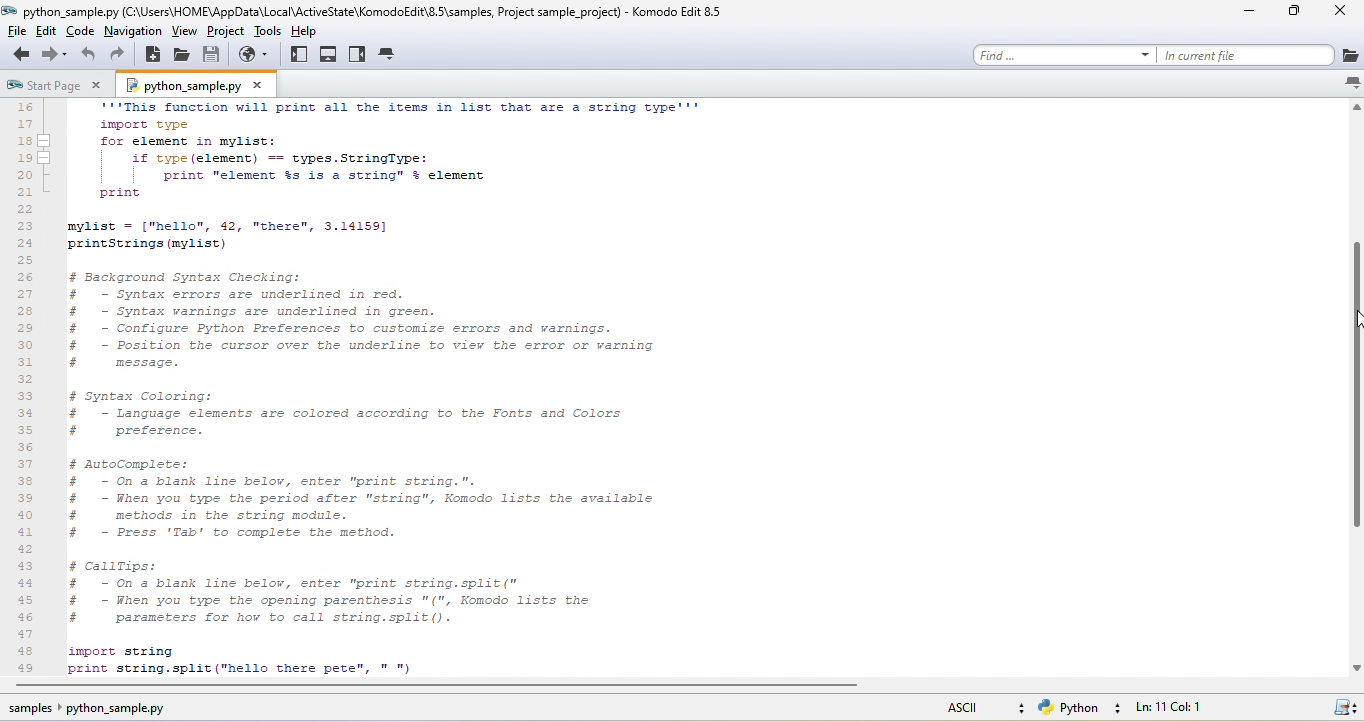 This screenshot has height=722, width=1364. What do you see at coordinates (89, 55) in the screenshot?
I see `undo` at bounding box center [89, 55].